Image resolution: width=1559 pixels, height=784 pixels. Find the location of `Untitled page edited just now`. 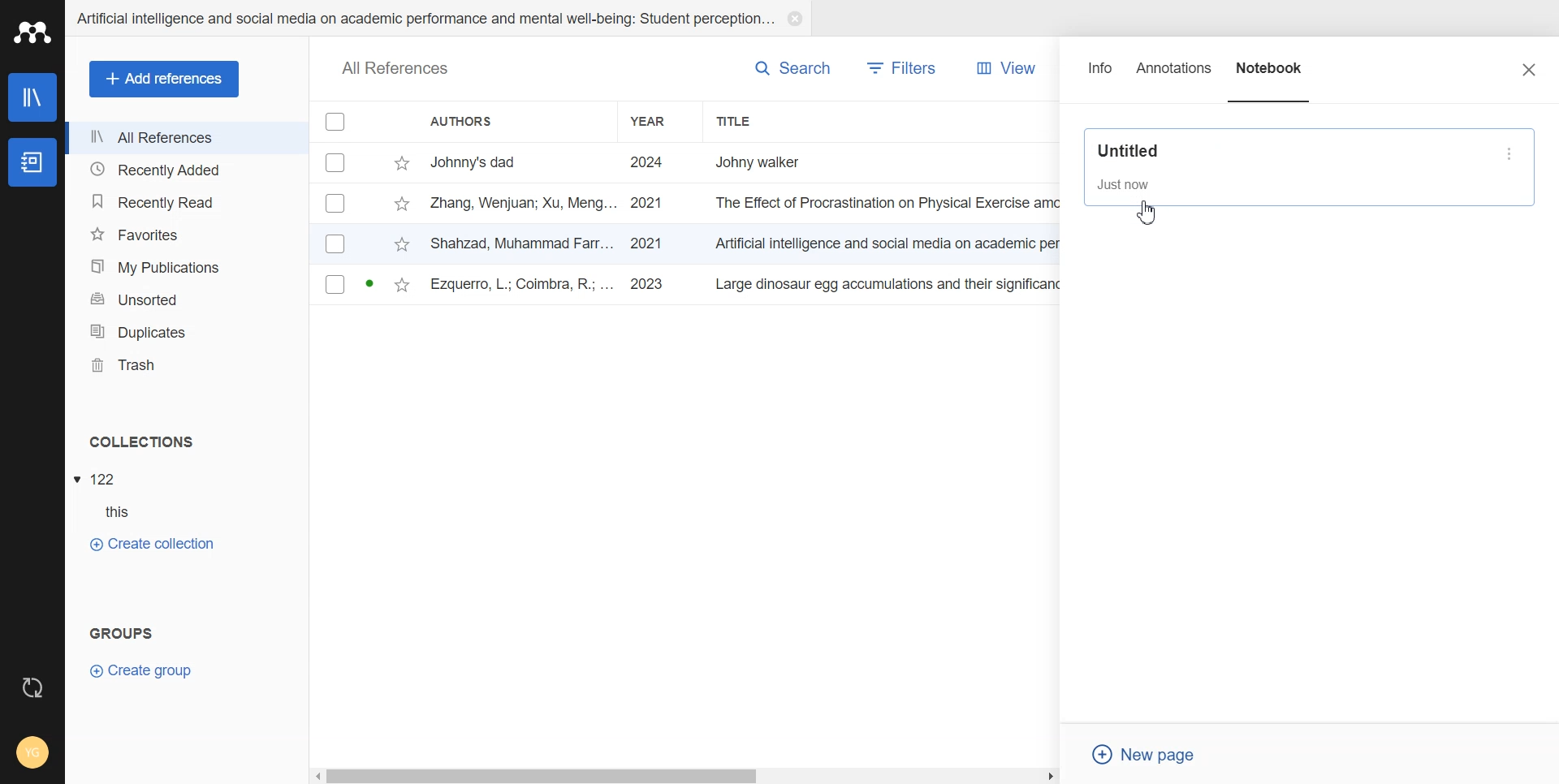

Untitled page edited just now is located at coordinates (1290, 167).